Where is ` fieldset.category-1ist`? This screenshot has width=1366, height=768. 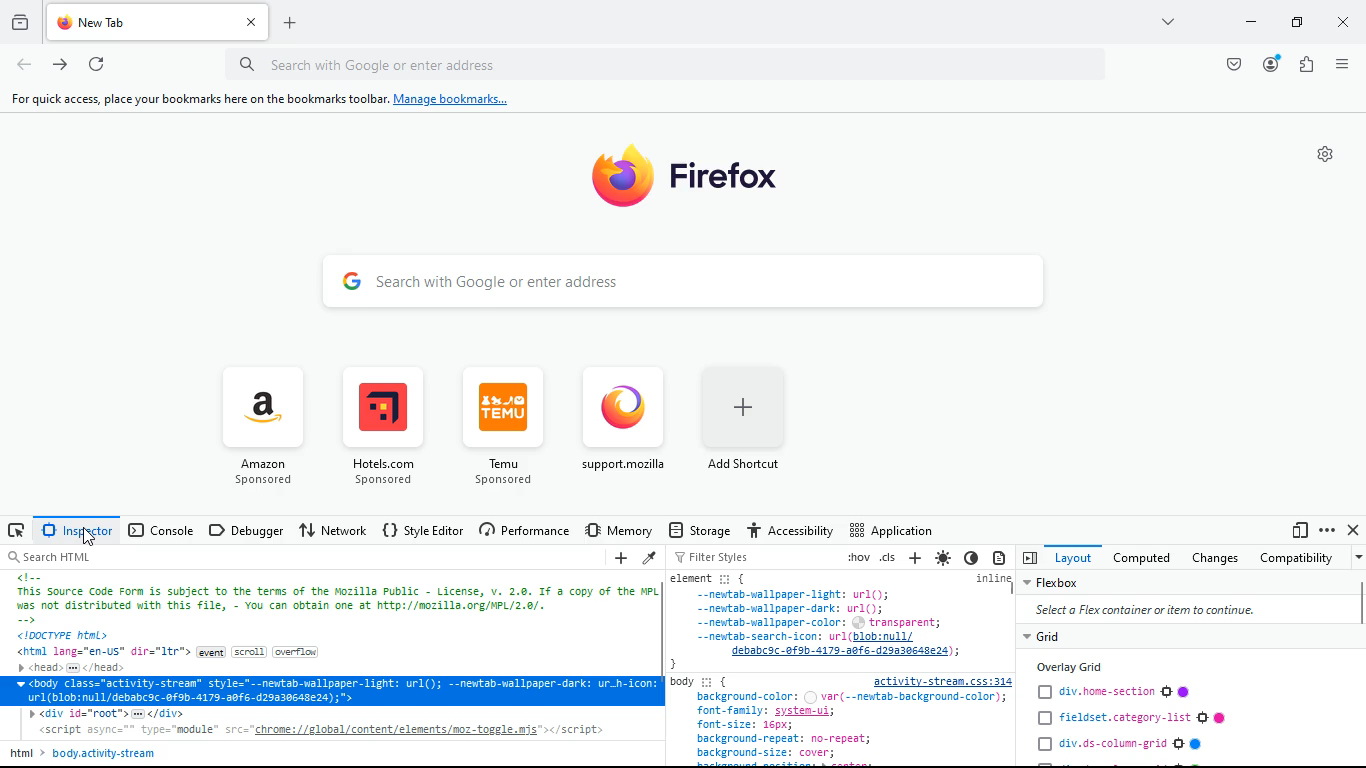  fieldset.category-1ist is located at coordinates (1131, 718).